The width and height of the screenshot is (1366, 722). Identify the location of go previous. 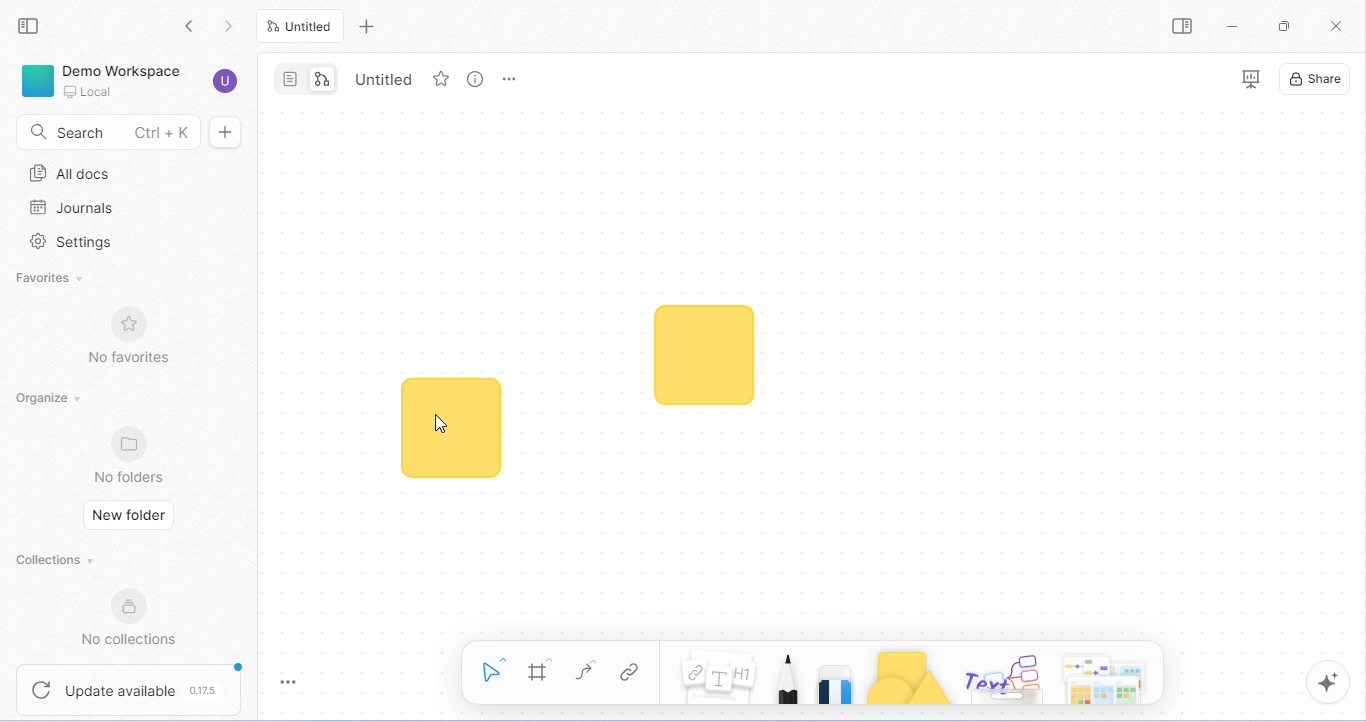
(232, 28).